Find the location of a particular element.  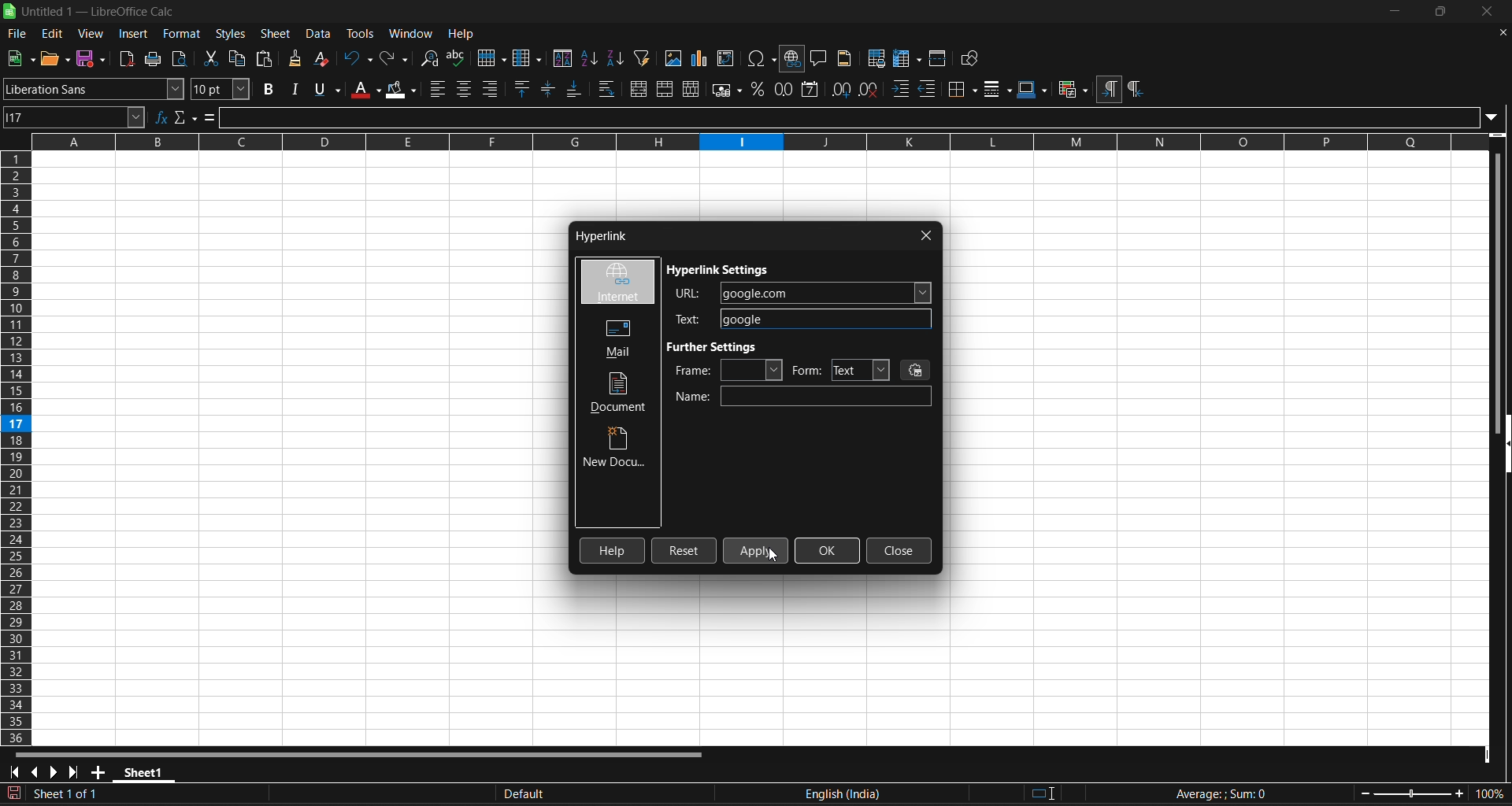

formula is located at coordinates (1220, 793).